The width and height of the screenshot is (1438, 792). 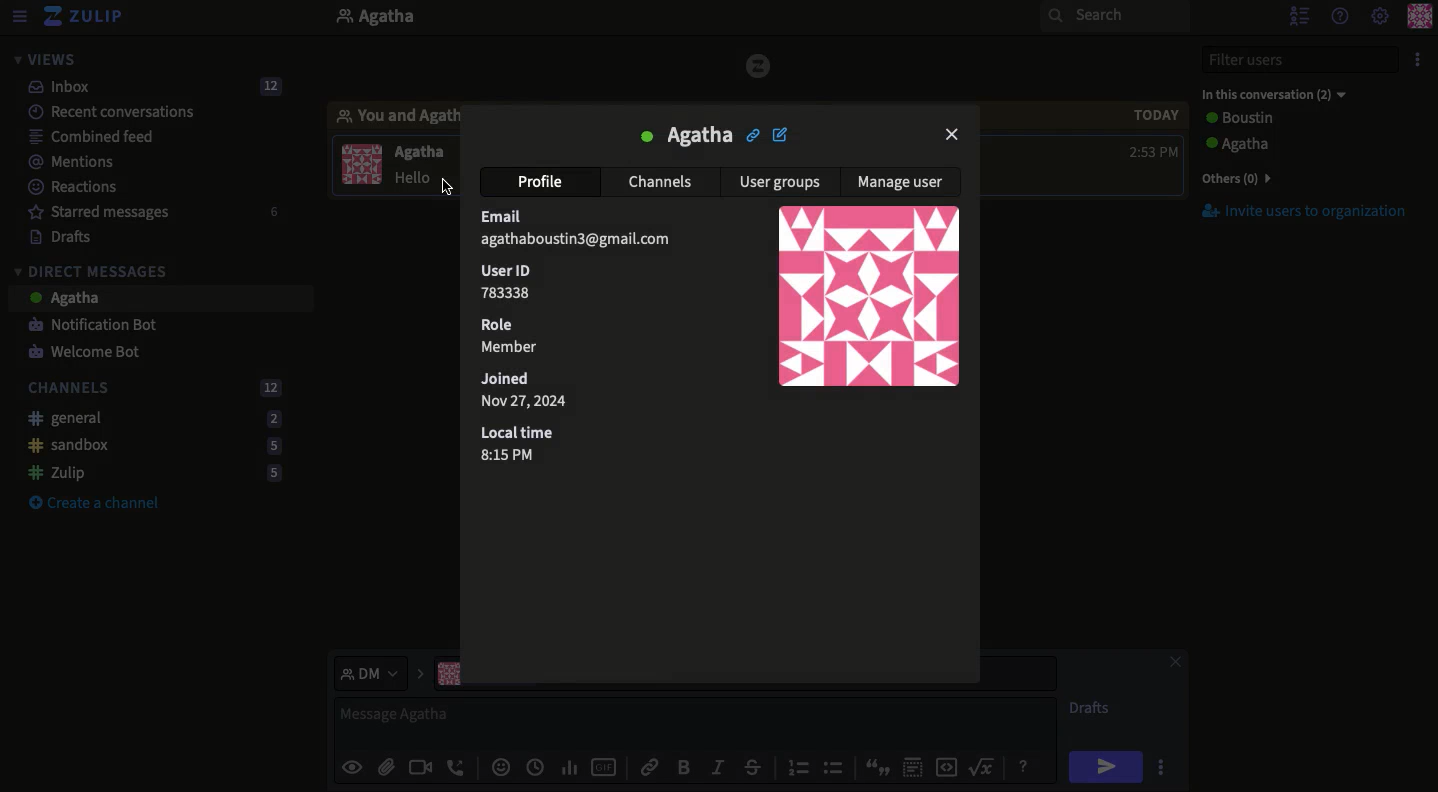 I want to click on Zulip, so click(x=92, y=20).